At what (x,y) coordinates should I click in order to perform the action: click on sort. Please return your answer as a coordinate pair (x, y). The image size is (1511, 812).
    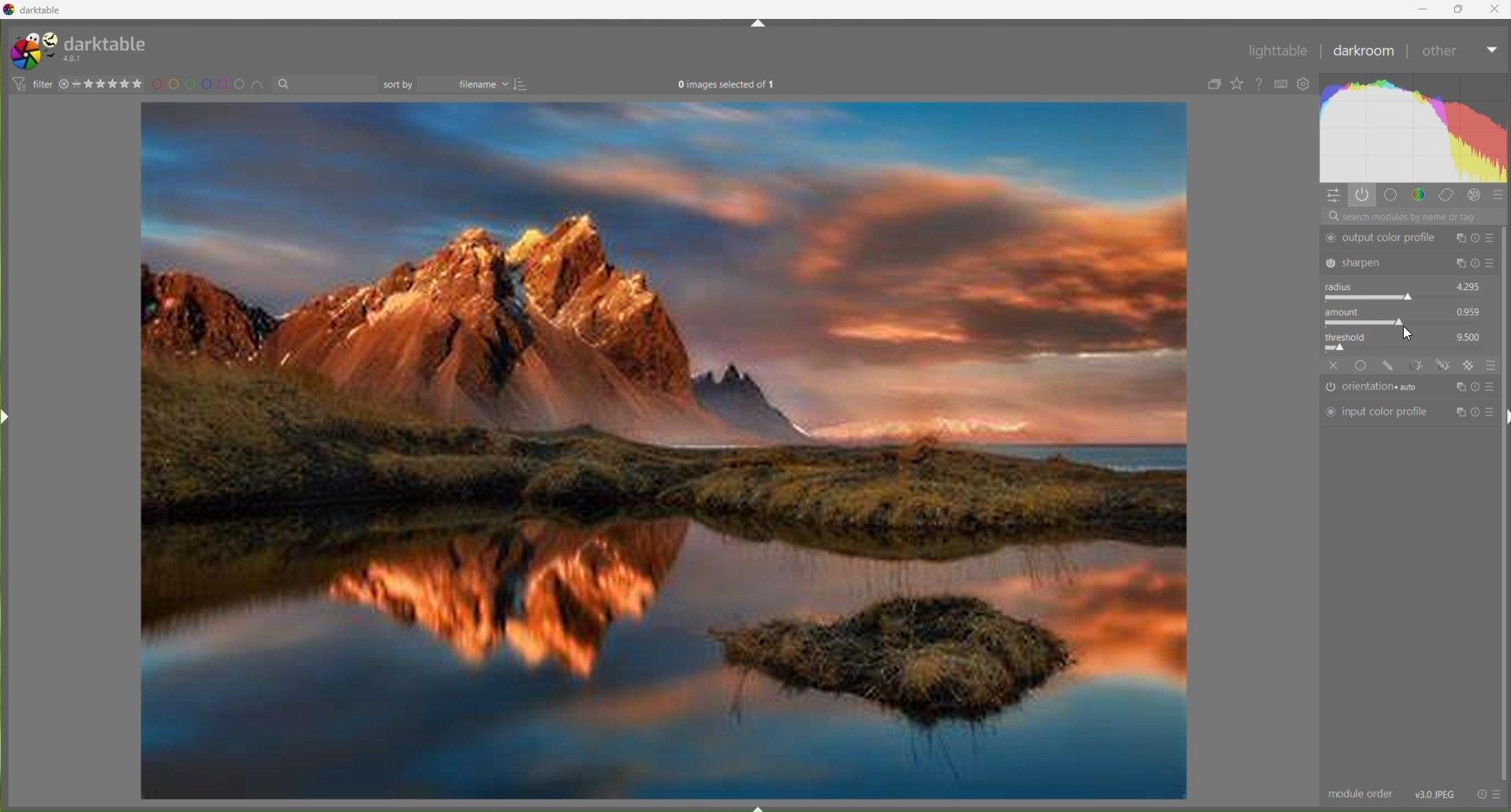
    Looking at the image, I should click on (524, 84).